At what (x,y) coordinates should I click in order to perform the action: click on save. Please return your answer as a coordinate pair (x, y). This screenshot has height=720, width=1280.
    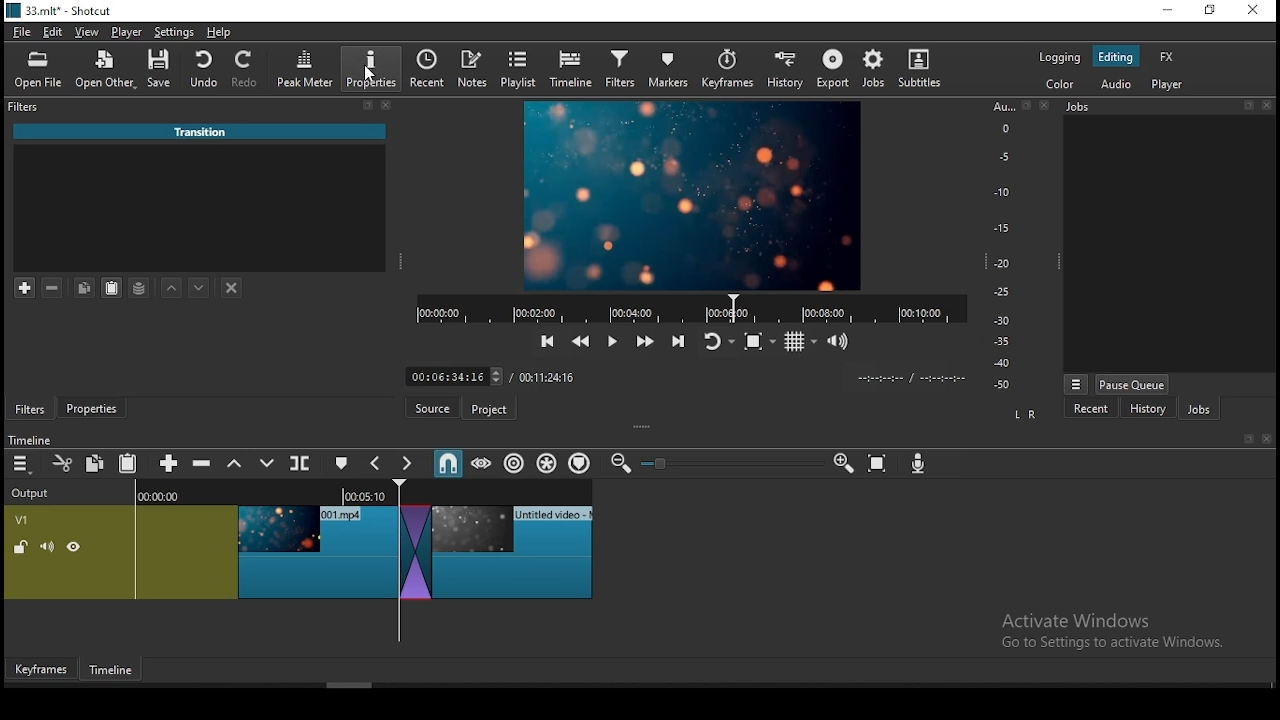
    Looking at the image, I should click on (163, 72).